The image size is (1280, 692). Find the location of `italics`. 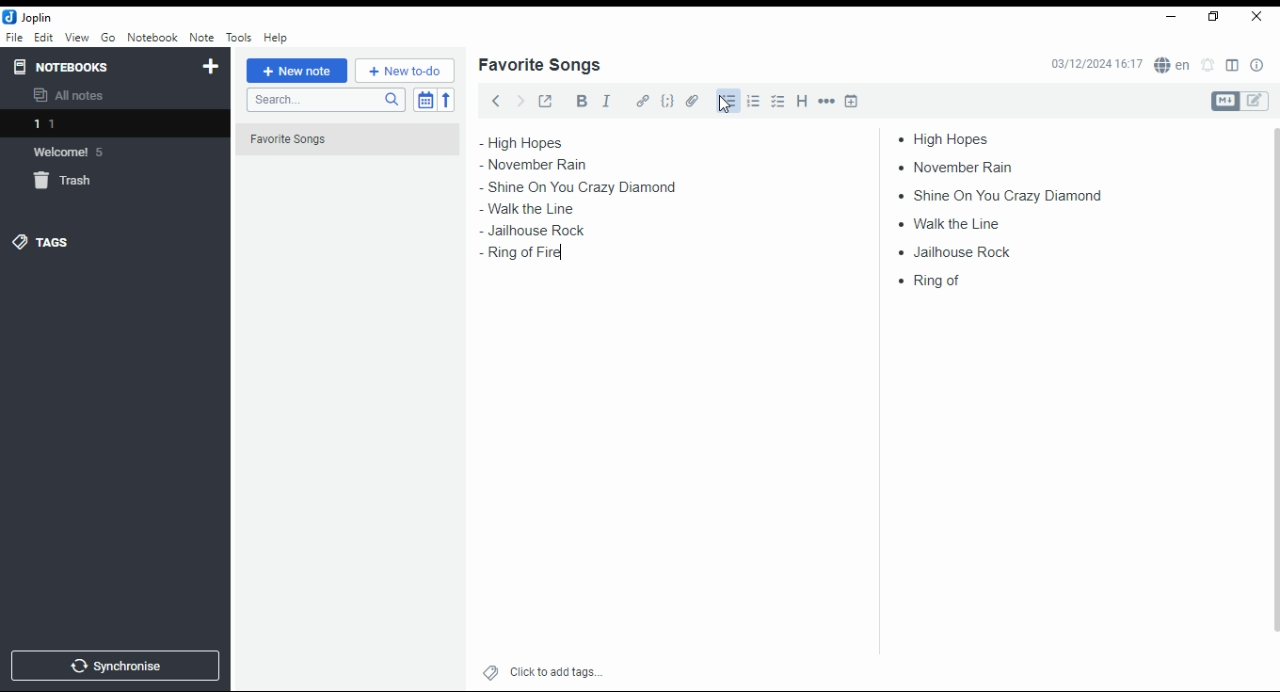

italics is located at coordinates (606, 100).